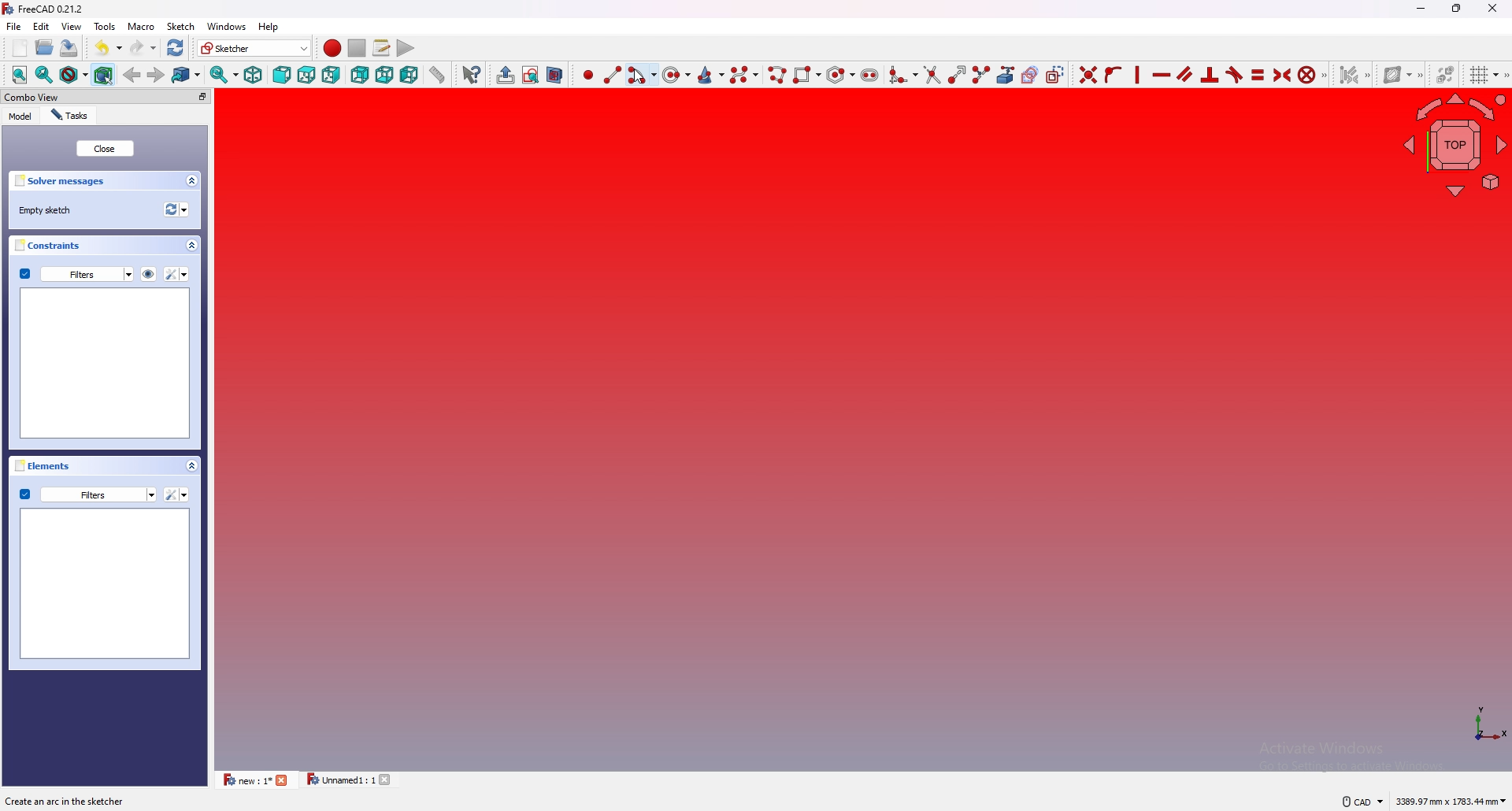  What do you see at coordinates (104, 73) in the screenshot?
I see `bounding object` at bounding box center [104, 73].